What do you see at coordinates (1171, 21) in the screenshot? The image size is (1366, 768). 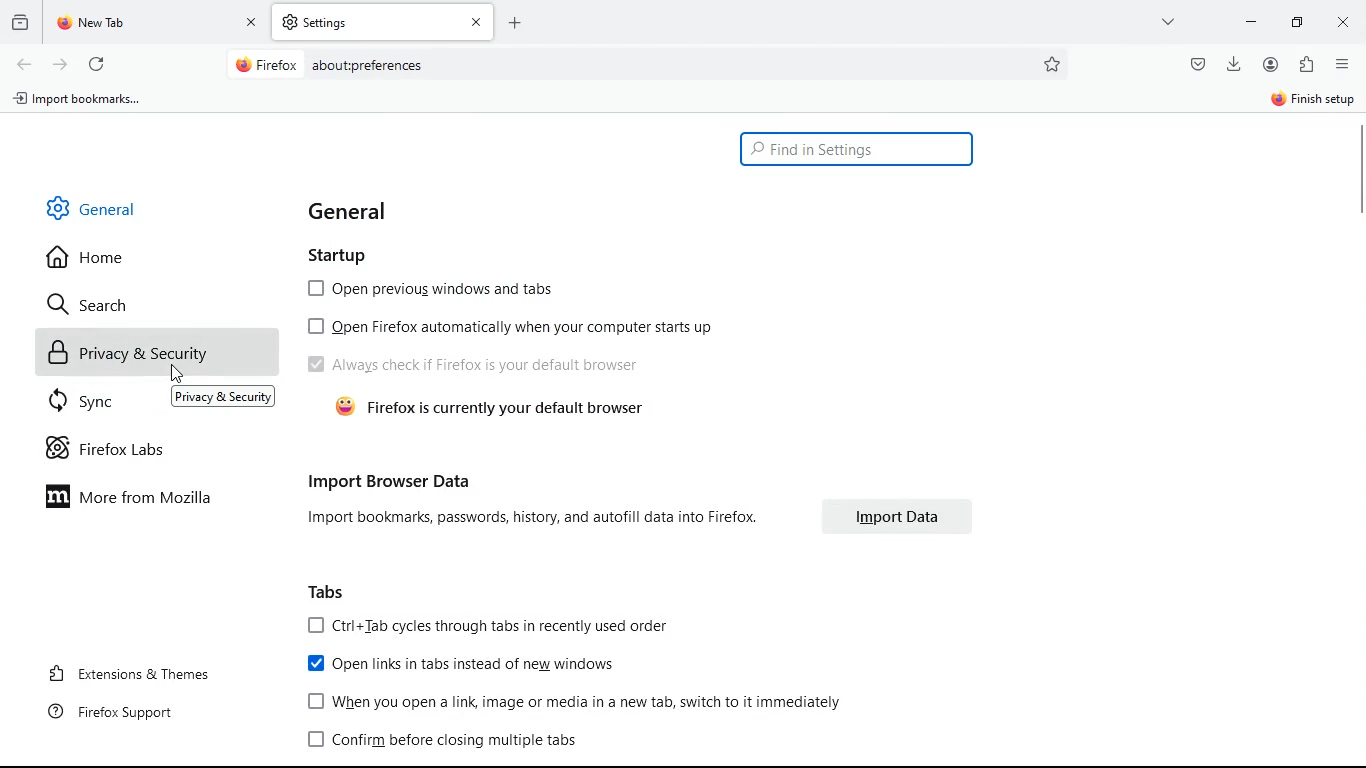 I see `more` at bounding box center [1171, 21].